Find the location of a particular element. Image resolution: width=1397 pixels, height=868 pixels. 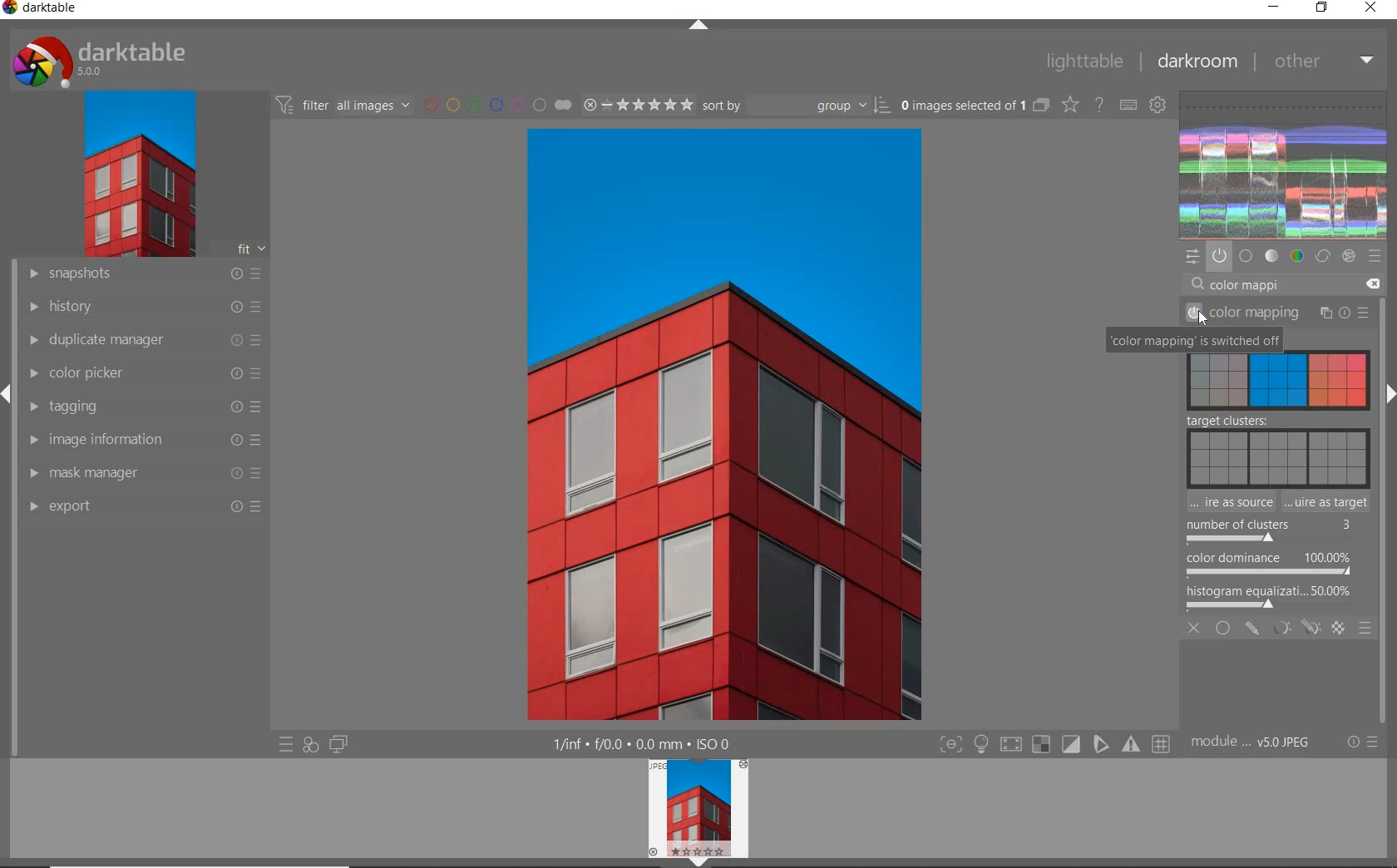

close is located at coordinates (1371, 9).